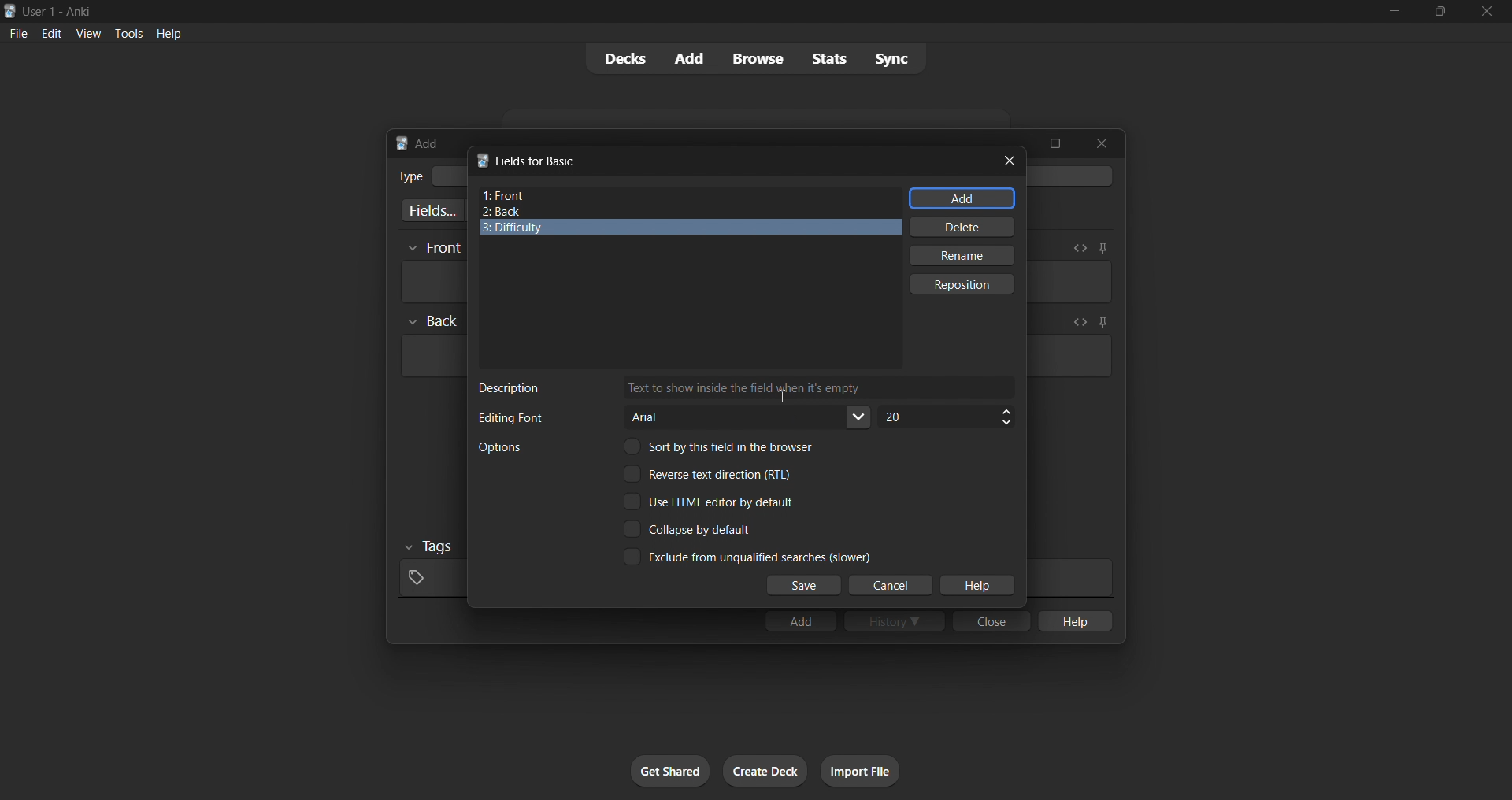  I want to click on back field, so click(684, 212).